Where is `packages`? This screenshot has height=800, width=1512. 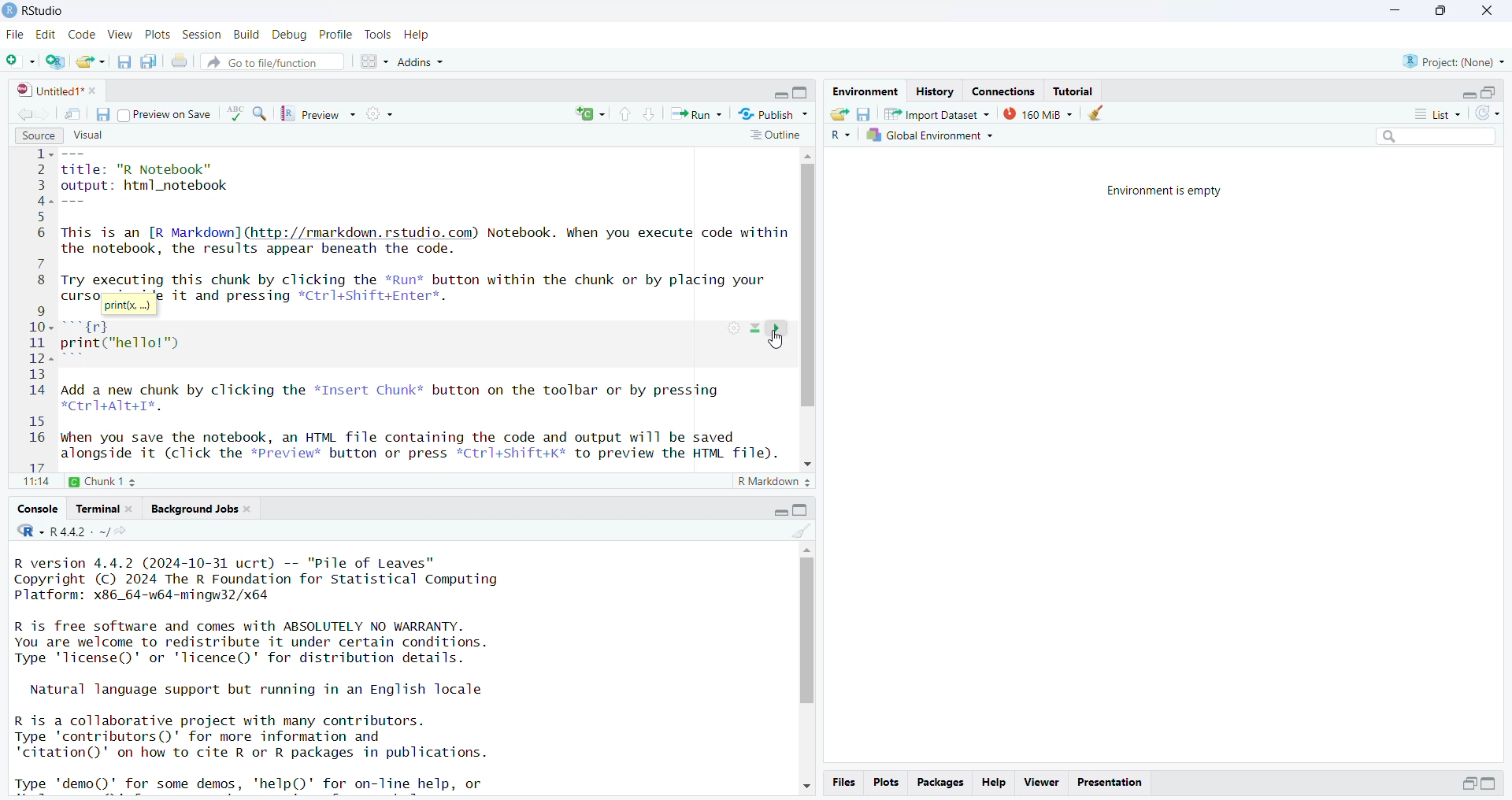 packages is located at coordinates (941, 782).